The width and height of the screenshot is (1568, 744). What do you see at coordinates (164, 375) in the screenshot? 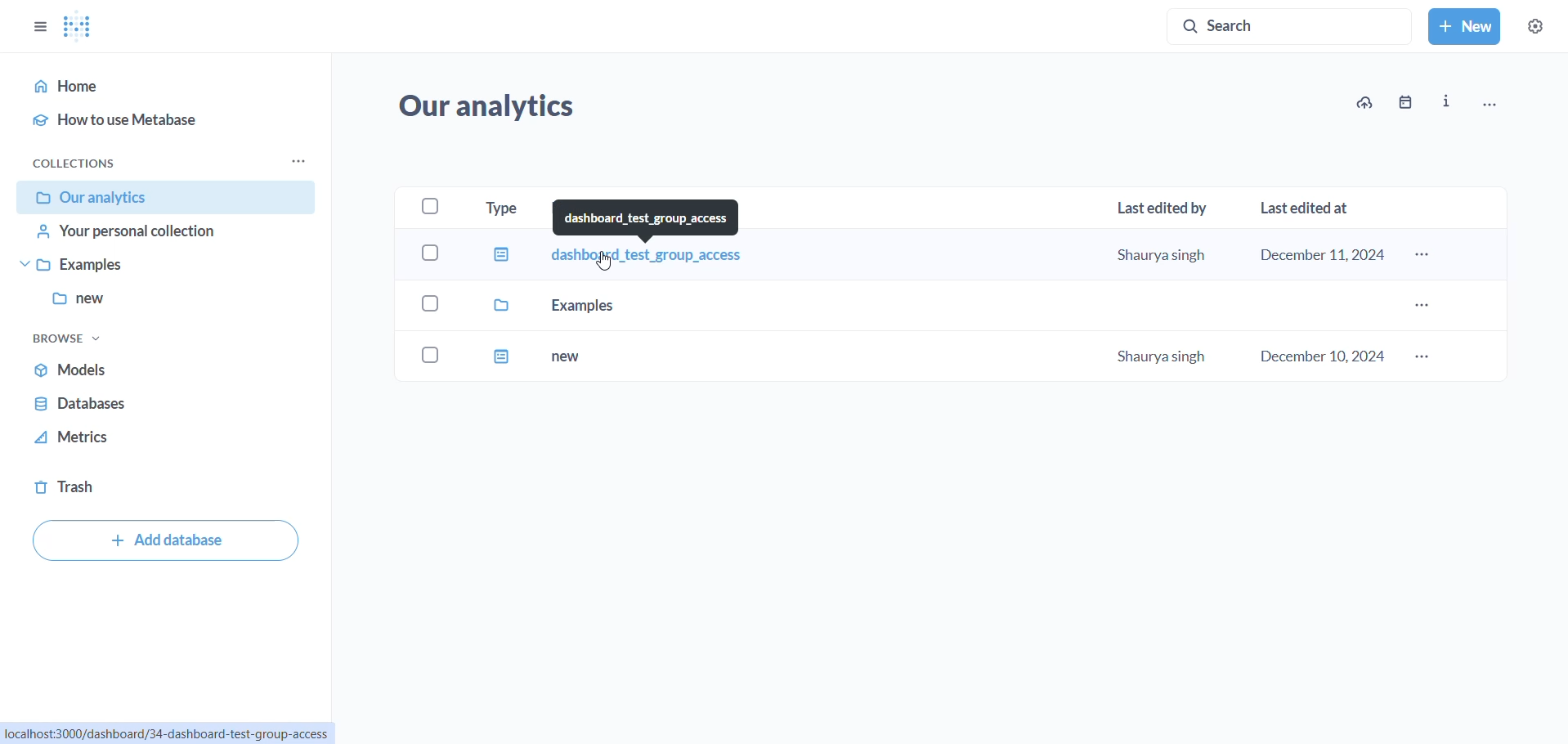
I see `models` at bounding box center [164, 375].